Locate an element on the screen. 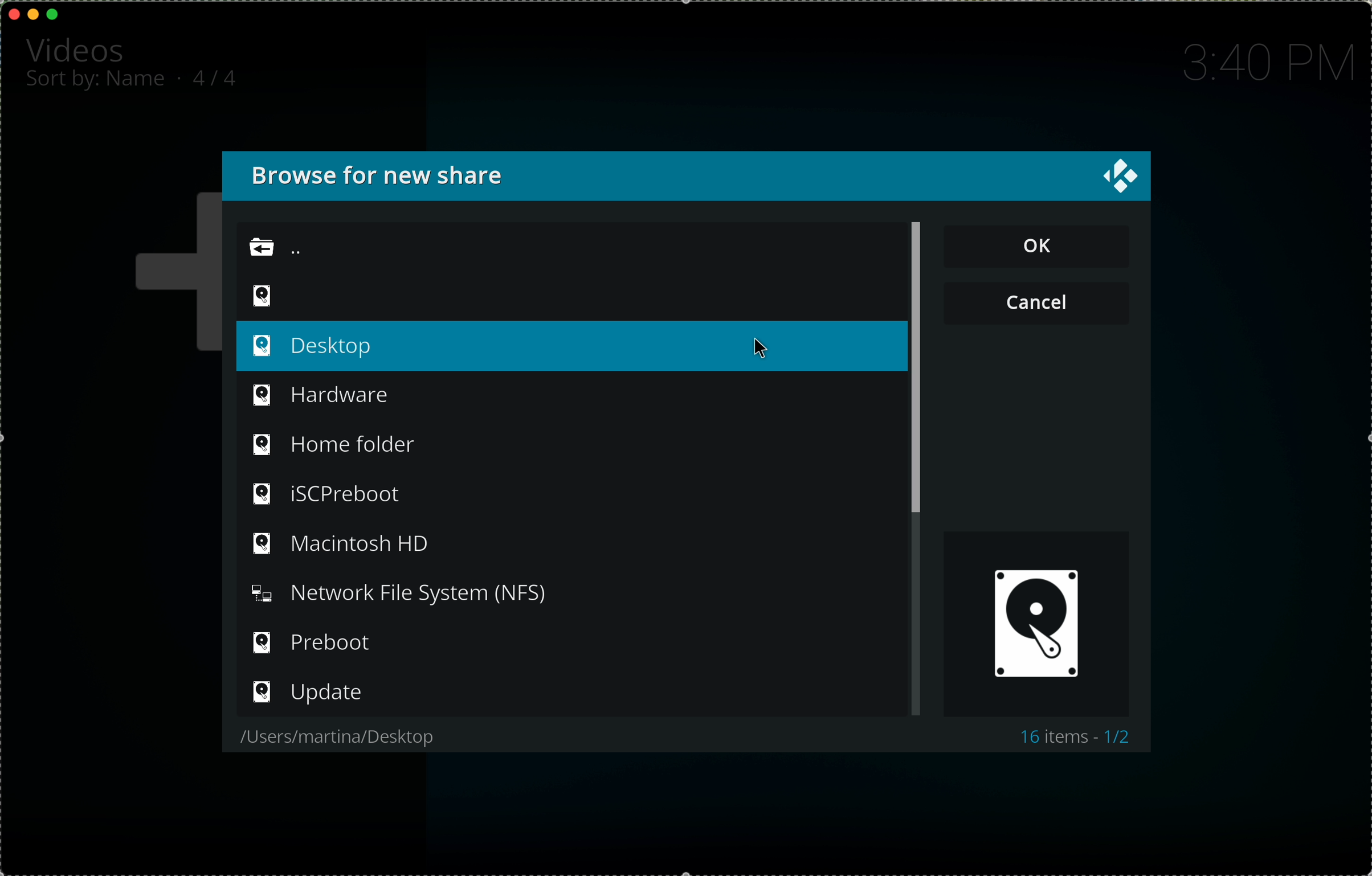  click on desktop option is located at coordinates (574, 347).